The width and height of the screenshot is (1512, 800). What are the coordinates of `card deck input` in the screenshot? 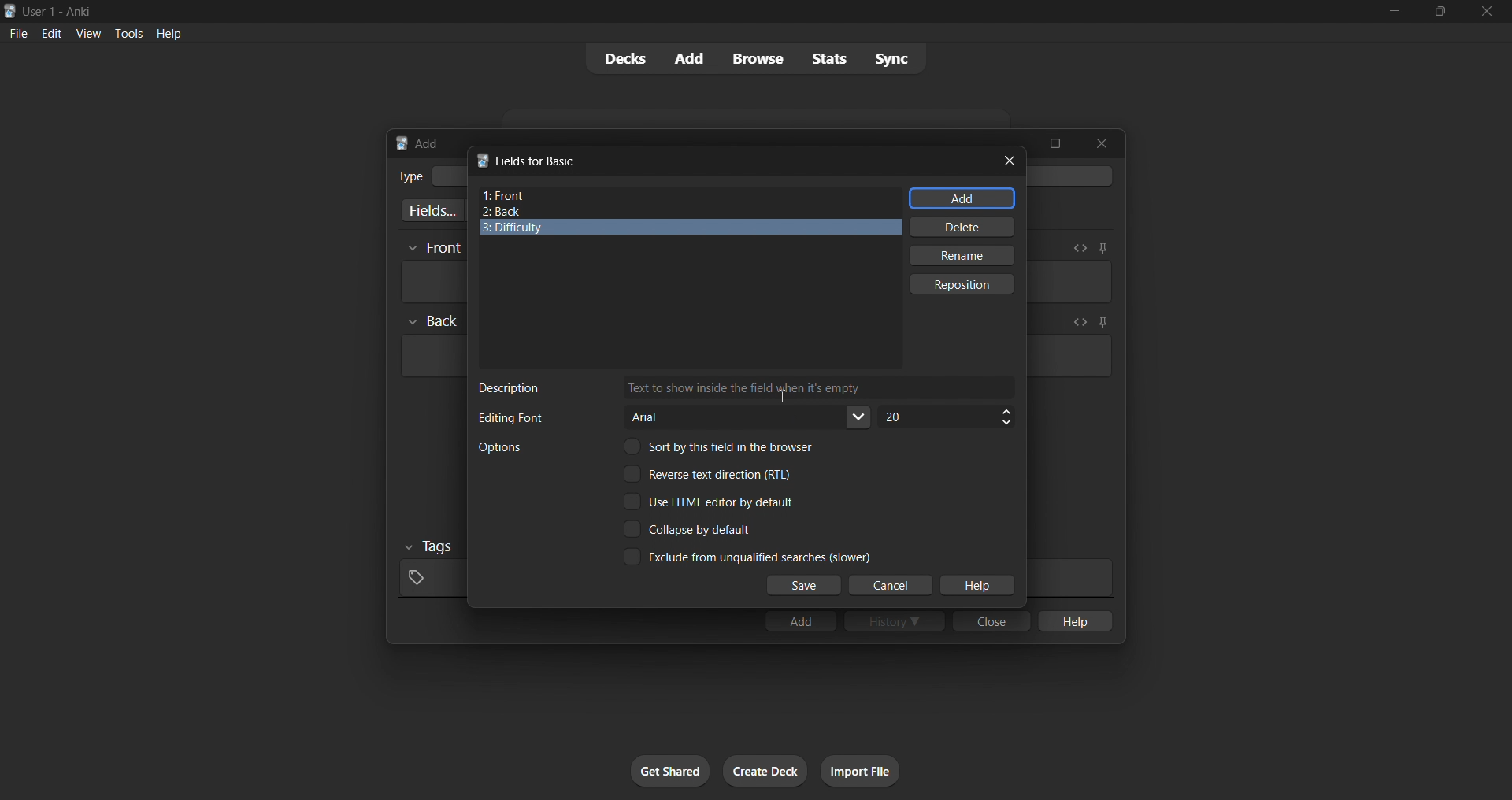 It's located at (1073, 176).